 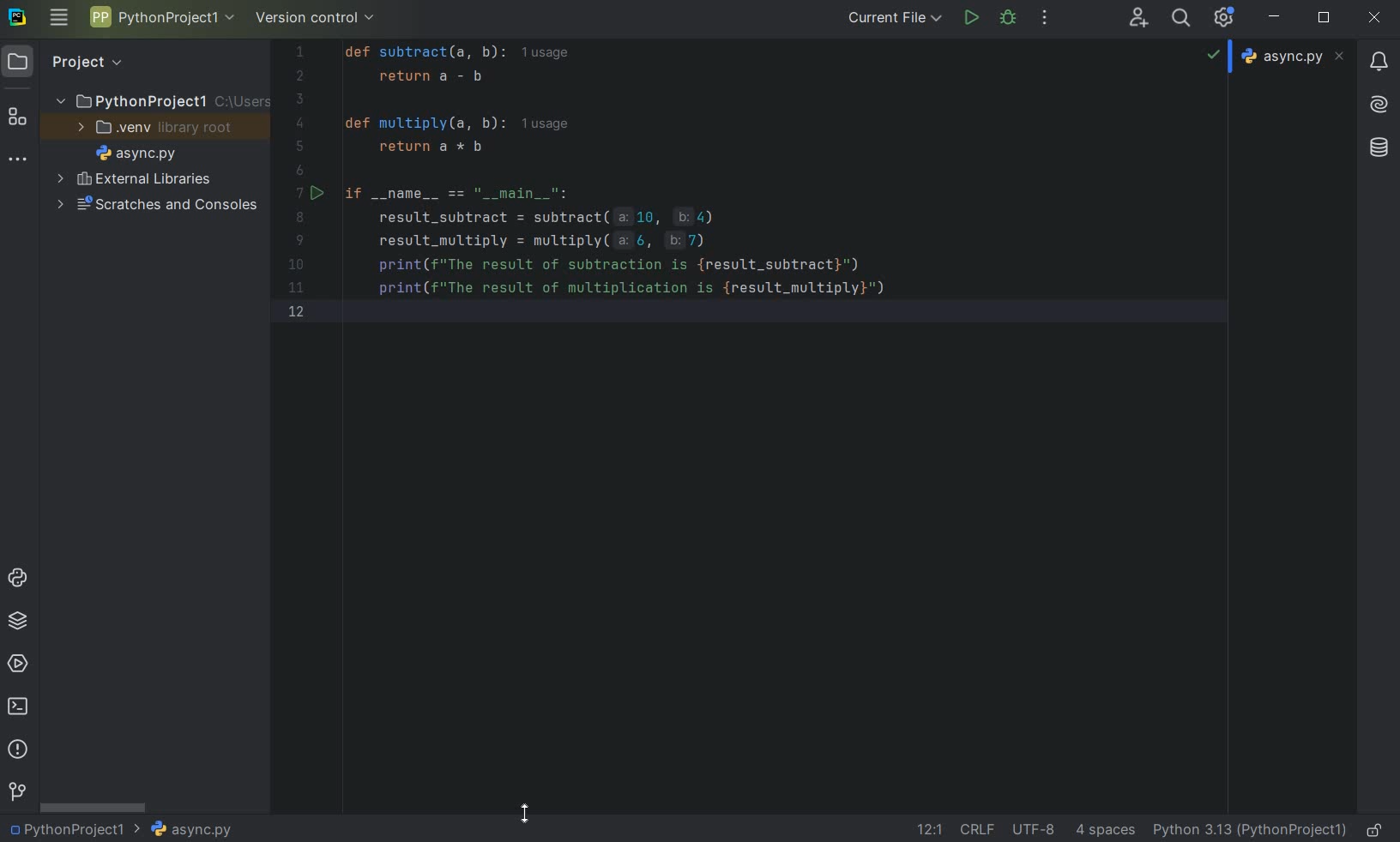 I want to click on no problems, so click(x=1215, y=54).